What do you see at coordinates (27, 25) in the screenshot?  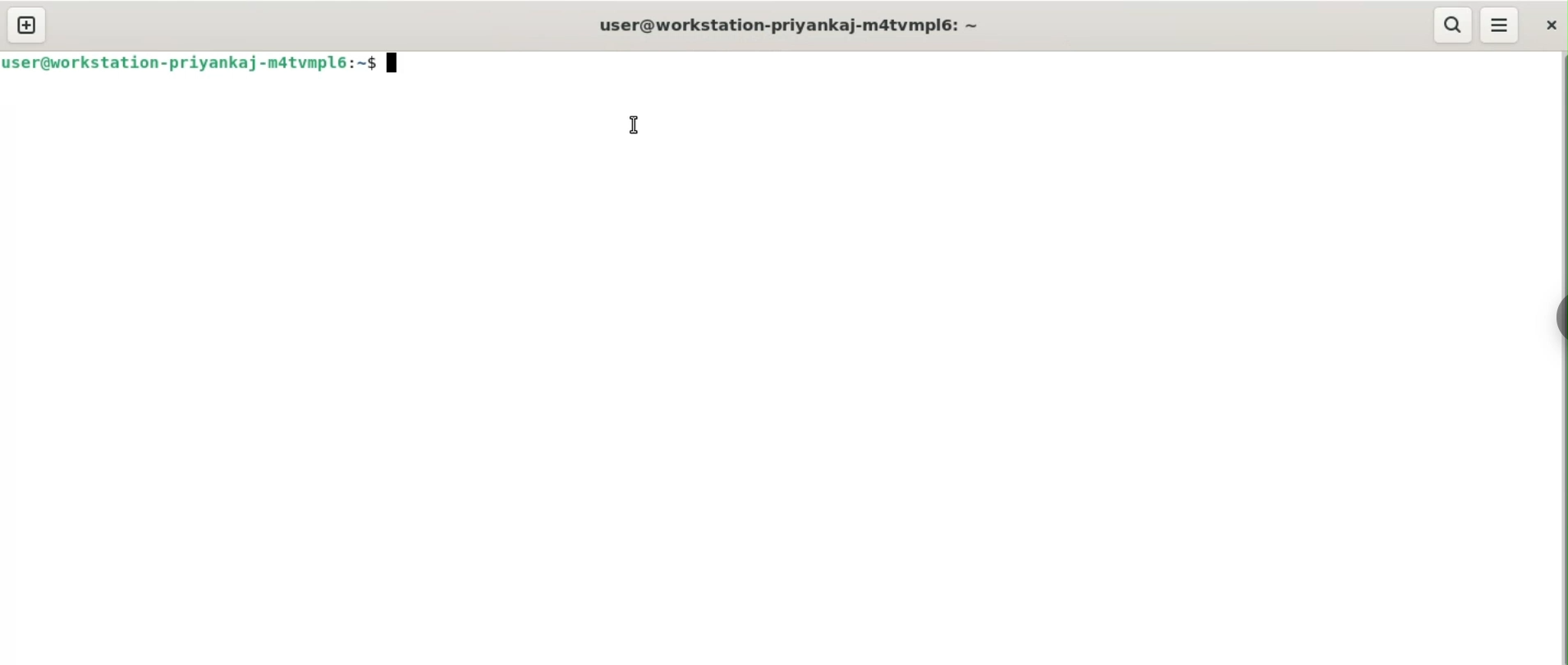 I see `new tab` at bounding box center [27, 25].